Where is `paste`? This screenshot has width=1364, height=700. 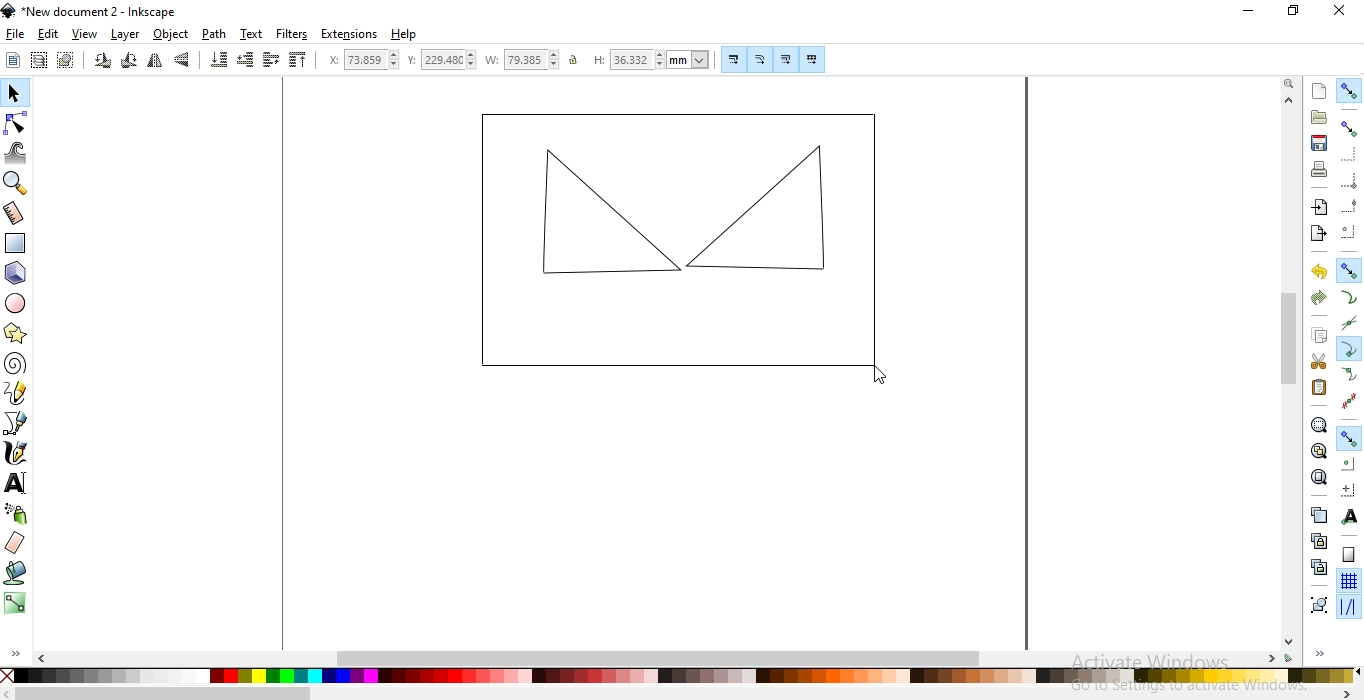 paste is located at coordinates (1320, 387).